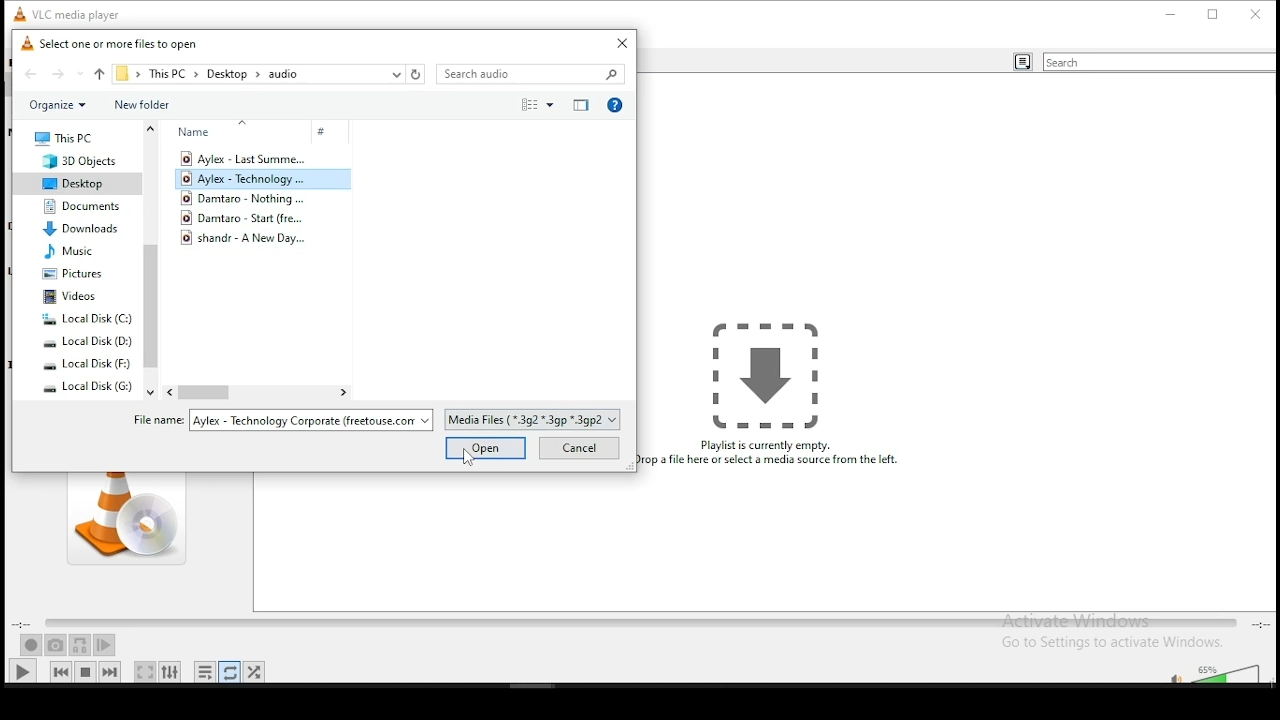  I want to click on desktop, so click(228, 75).